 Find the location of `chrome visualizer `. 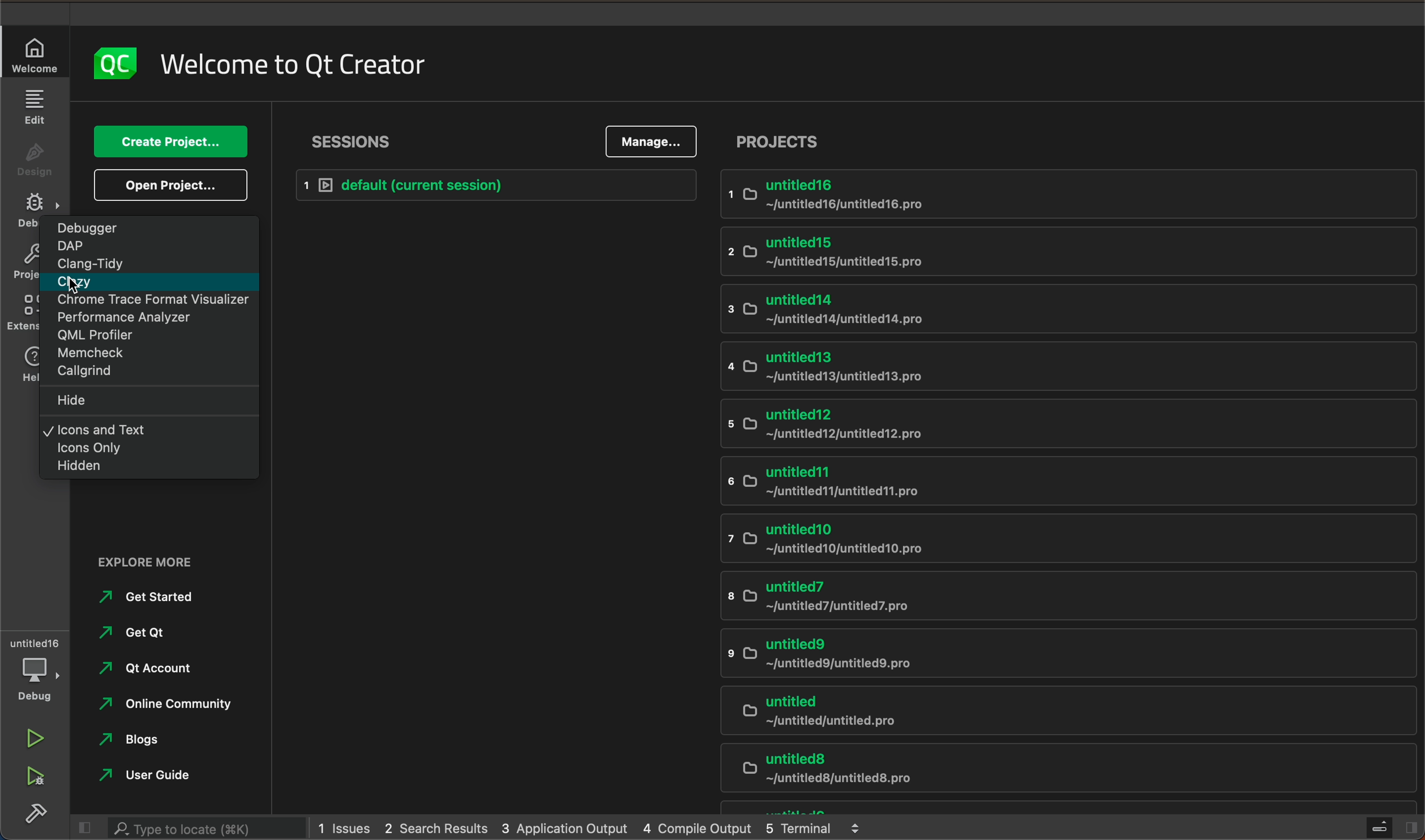

chrome visualizer  is located at coordinates (148, 302).